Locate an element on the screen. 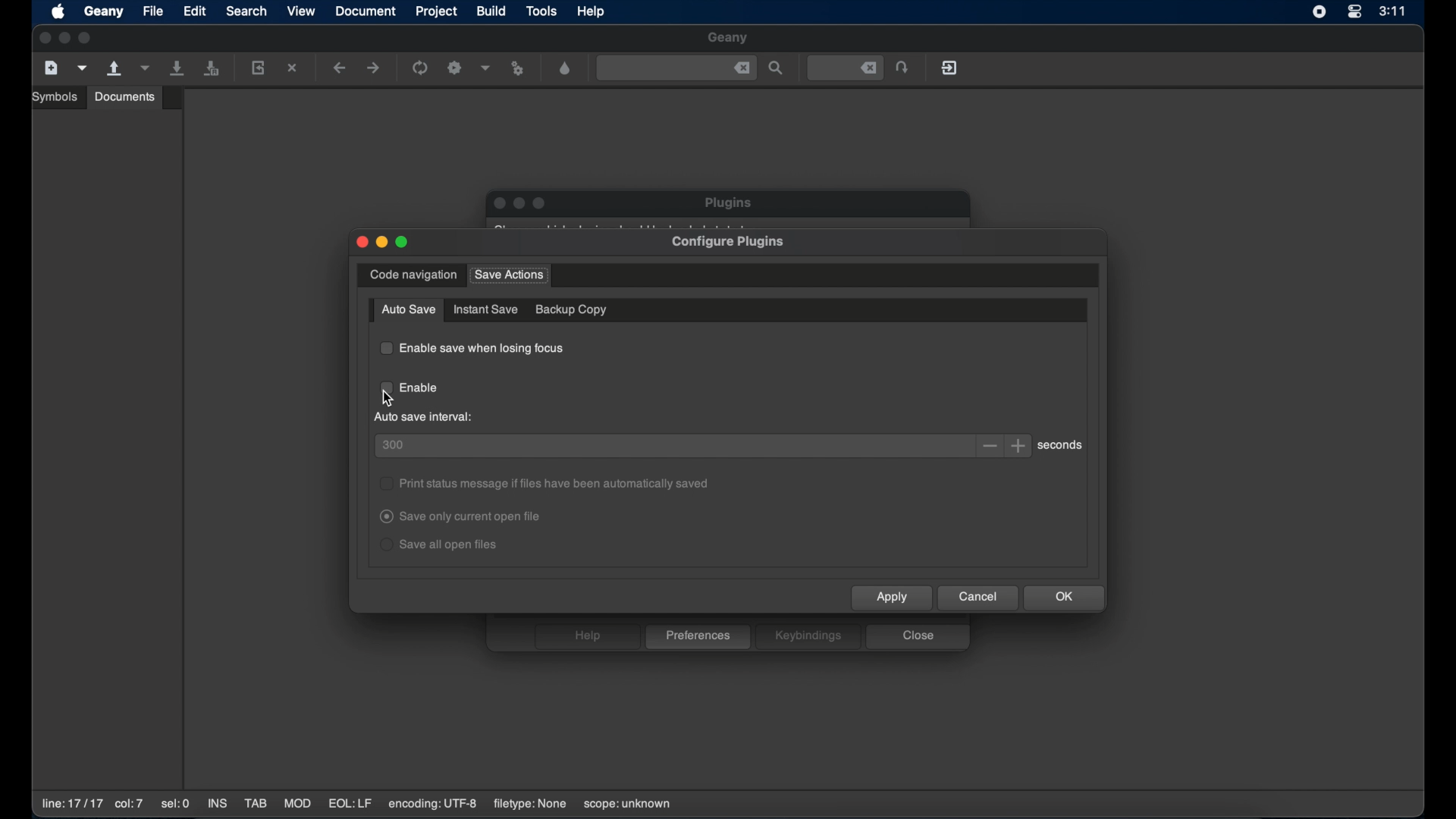 The height and width of the screenshot is (819, 1456). print status message if files  have been automatically saved radio button is located at coordinates (545, 483).